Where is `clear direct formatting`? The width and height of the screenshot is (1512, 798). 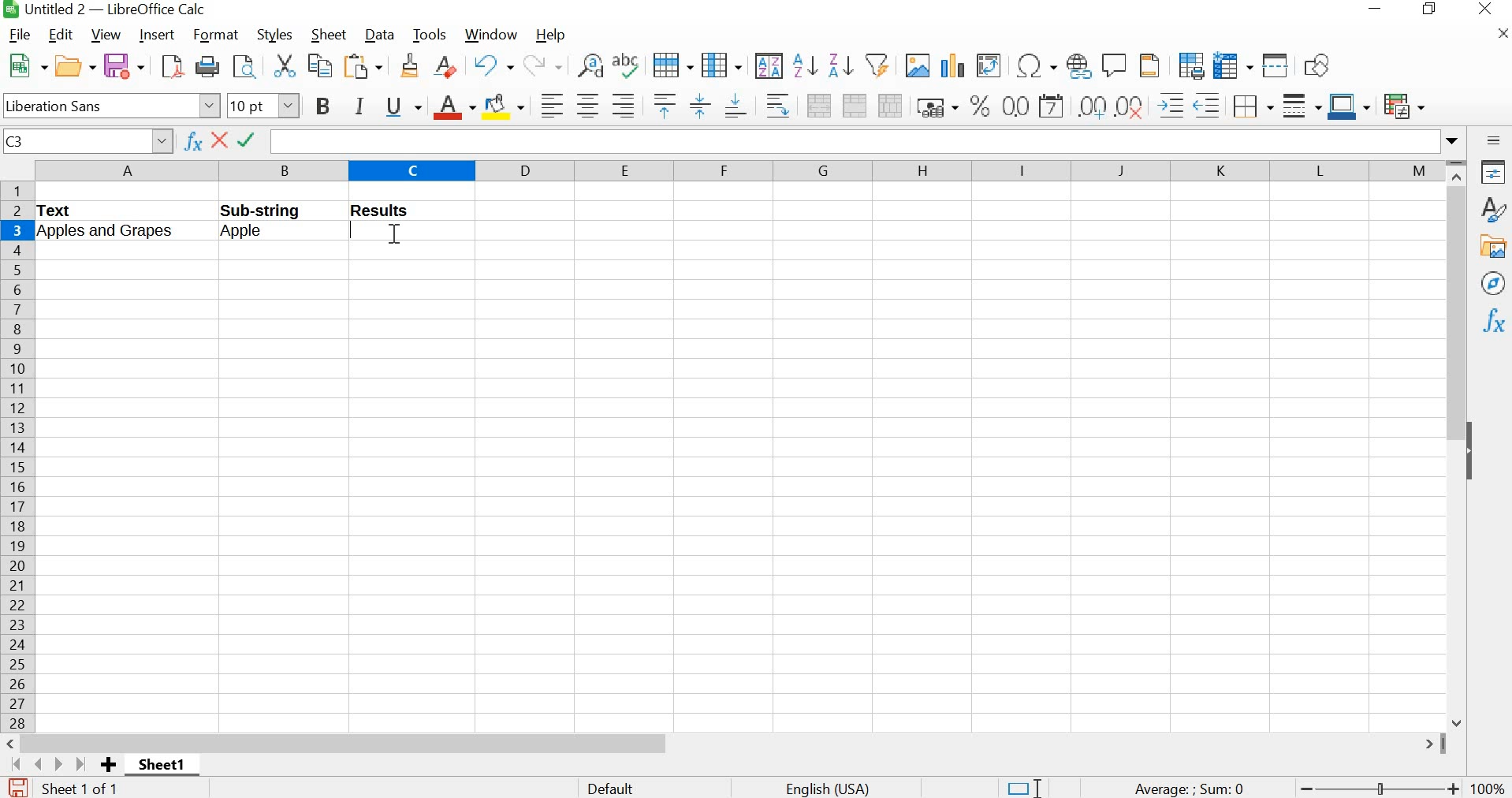
clear direct formatting is located at coordinates (445, 66).